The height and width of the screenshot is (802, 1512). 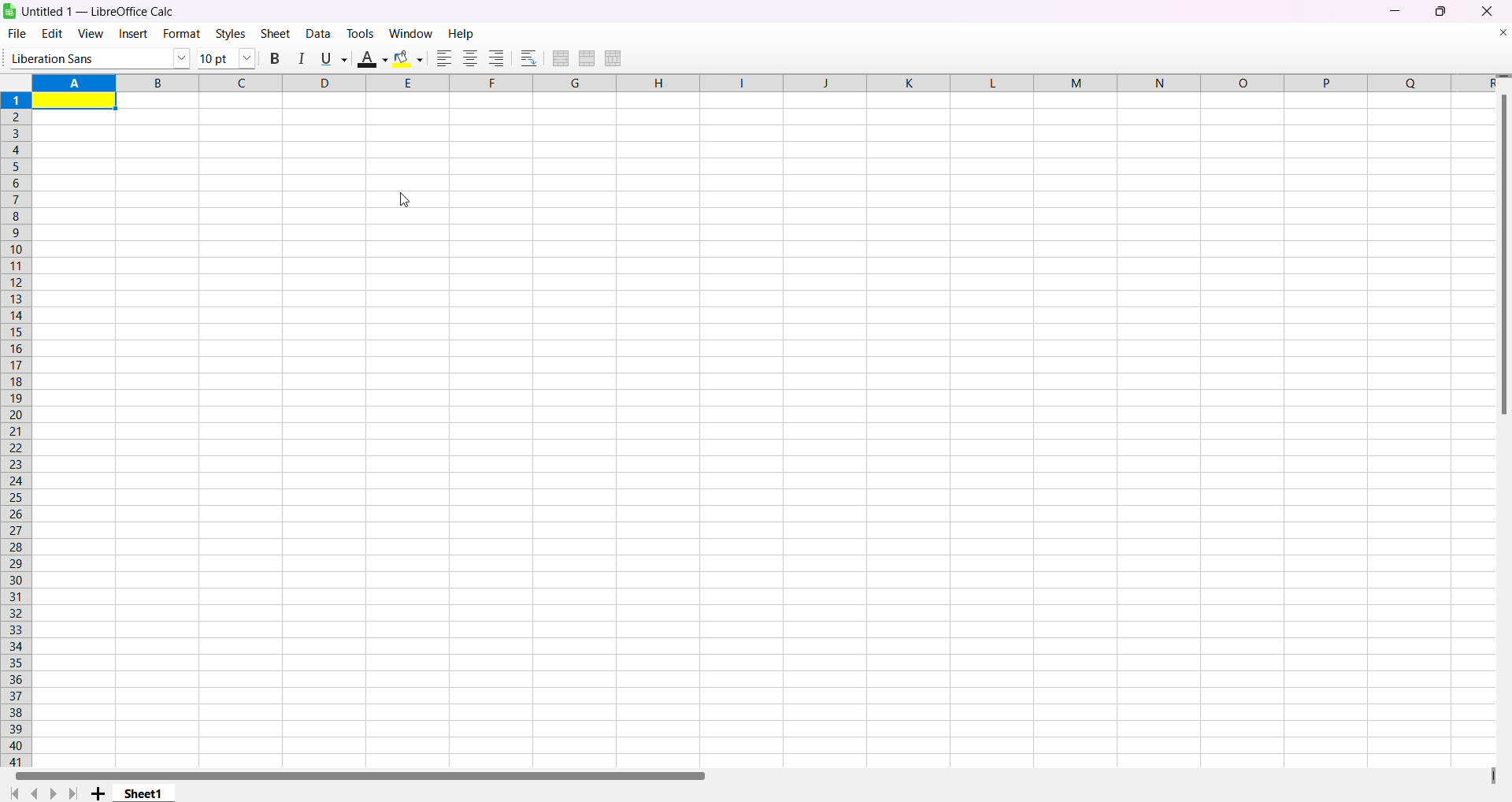 I want to click on italic, so click(x=298, y=58).